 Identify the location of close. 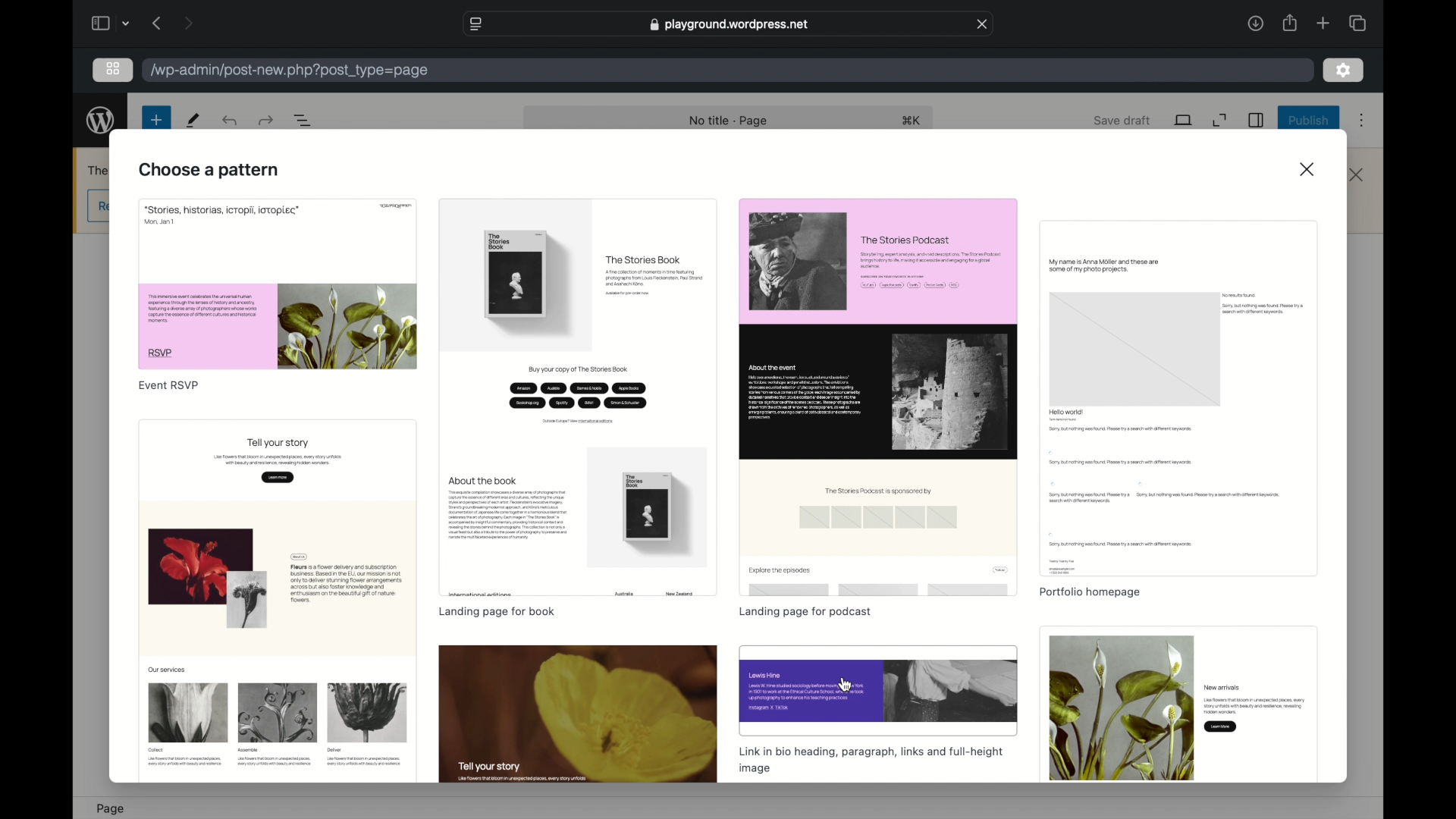
(983, 24).